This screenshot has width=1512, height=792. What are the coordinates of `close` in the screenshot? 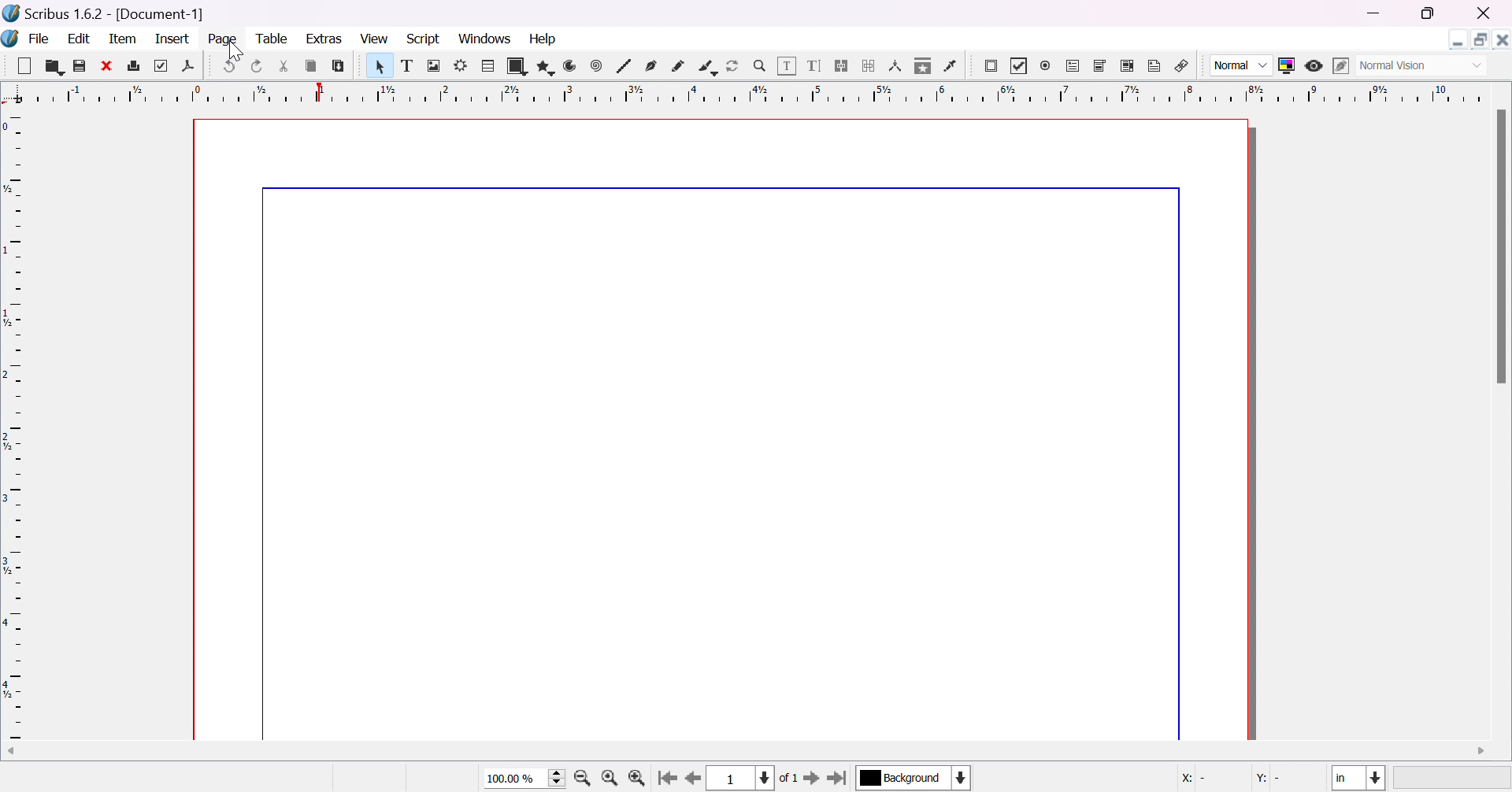 It's located at (1488, 11).